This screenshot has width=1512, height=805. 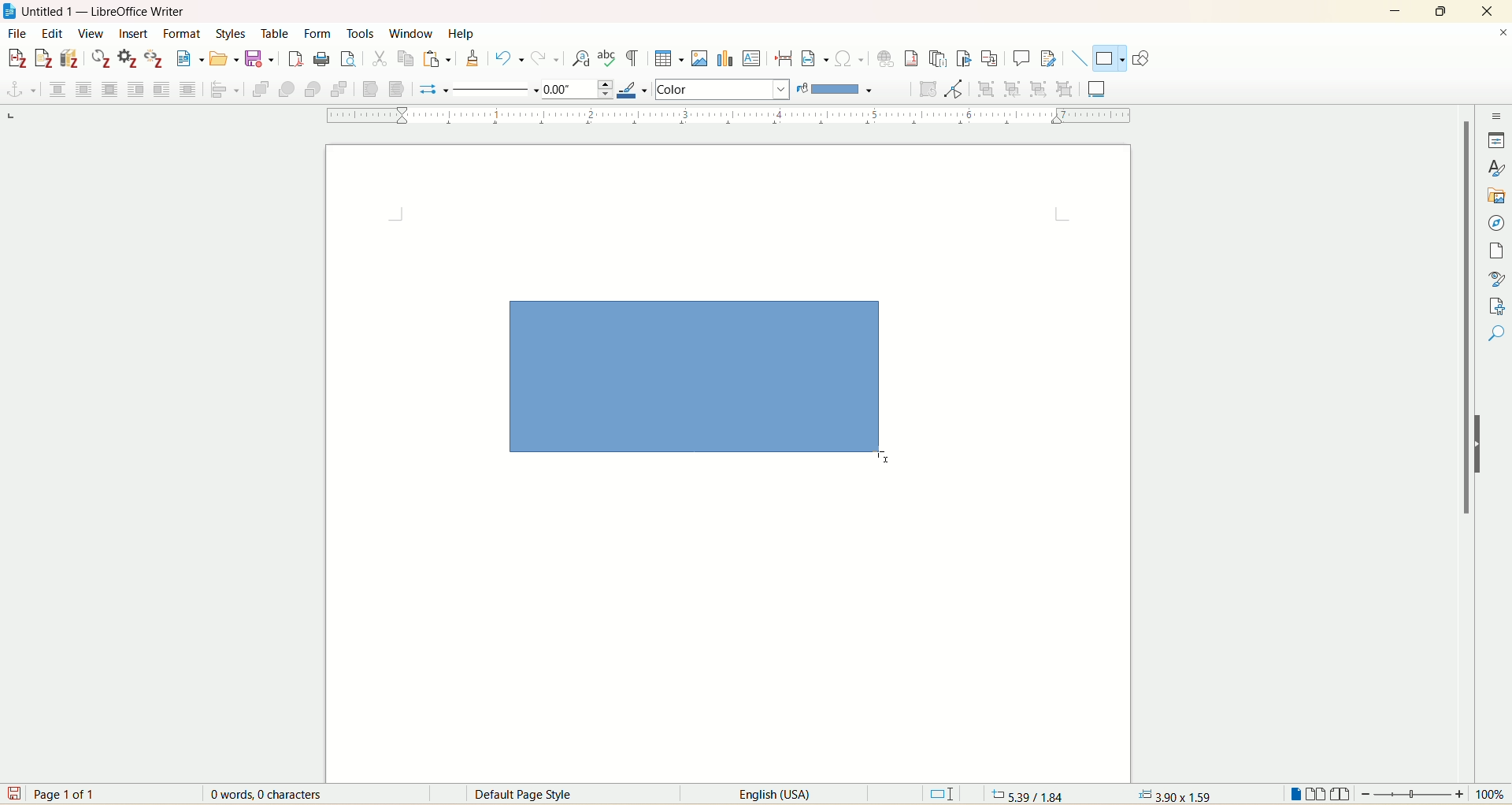 I want to click on optimal, so click(x=112, y=90).